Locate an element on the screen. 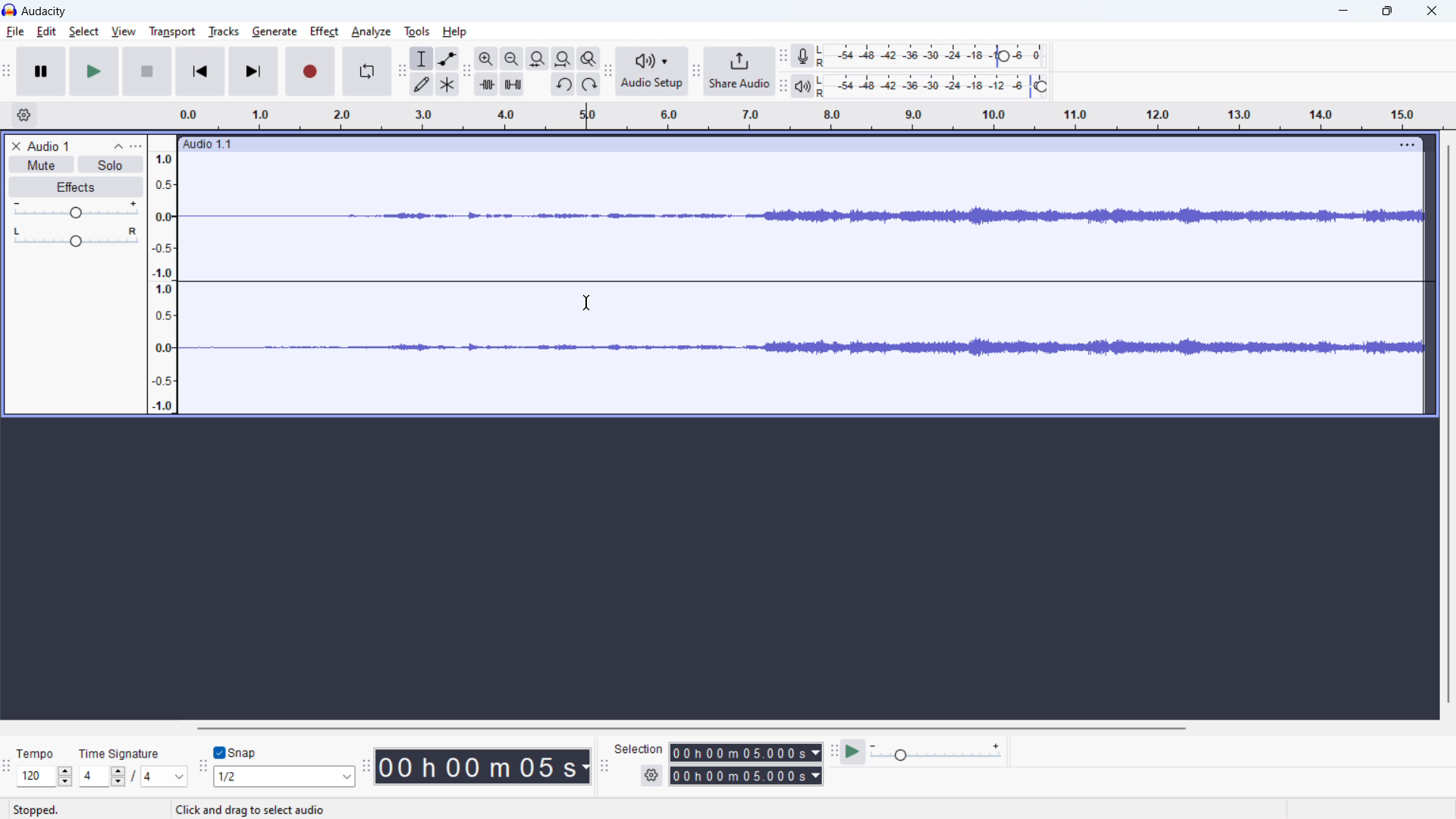 The height and width of the screenshot is (819, 1456). end time is located at coordinates (745, 776).